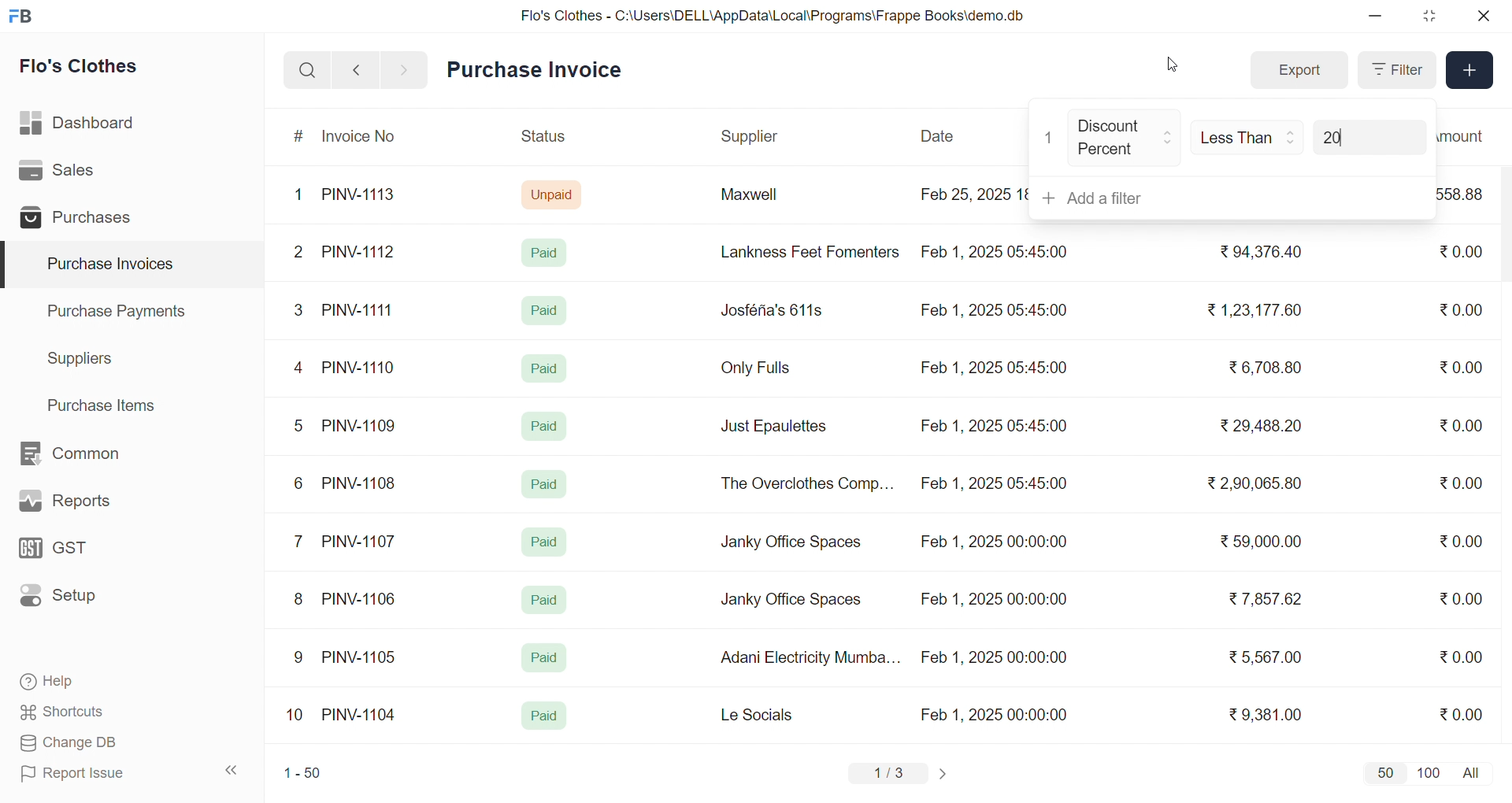  What do you see at coordinates (767, 200) in the screenshot?
I see `Maxwell` at bounding box center [767, 200].